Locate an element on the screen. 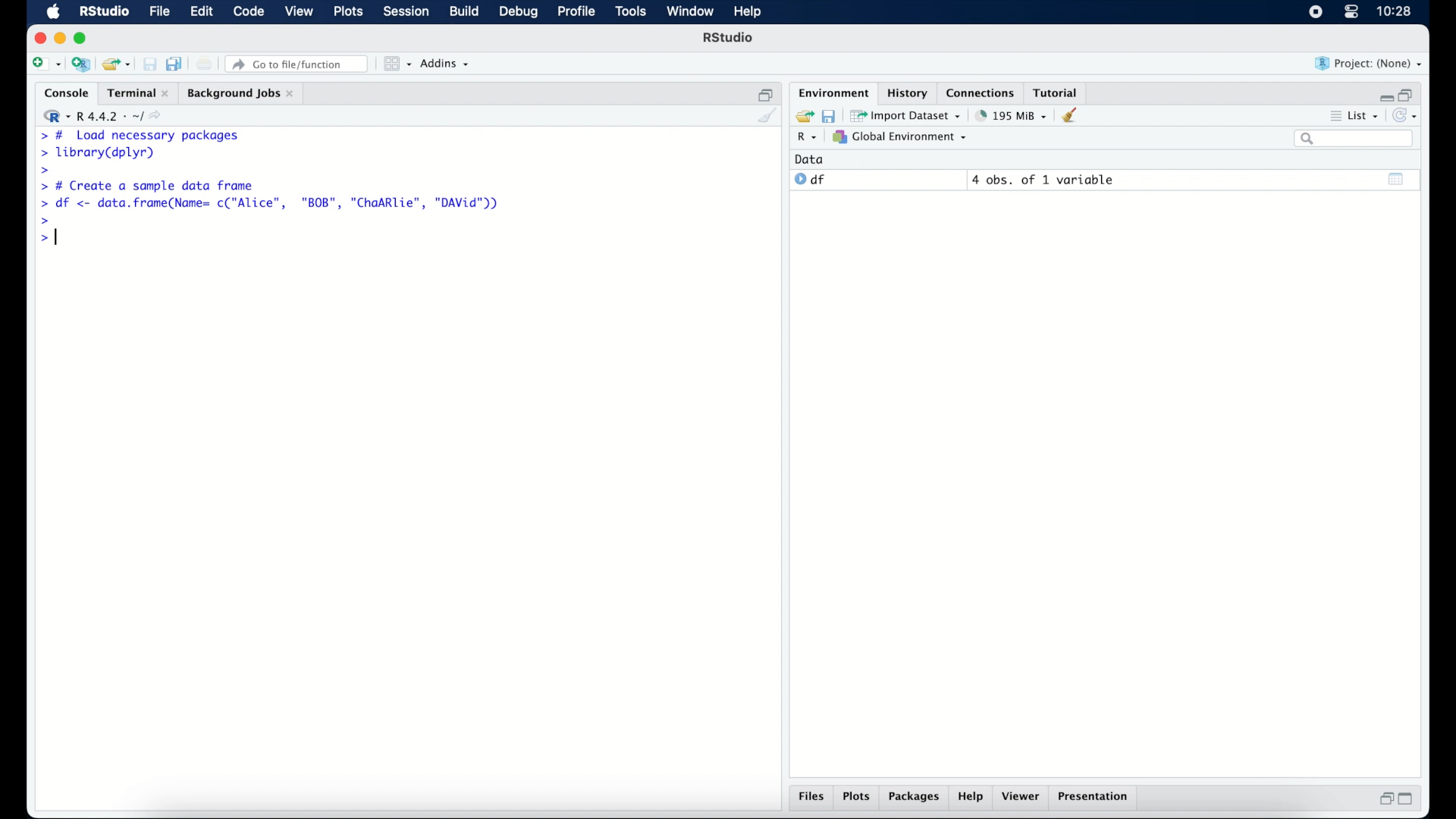  environment is located at coordinates (831, 92).